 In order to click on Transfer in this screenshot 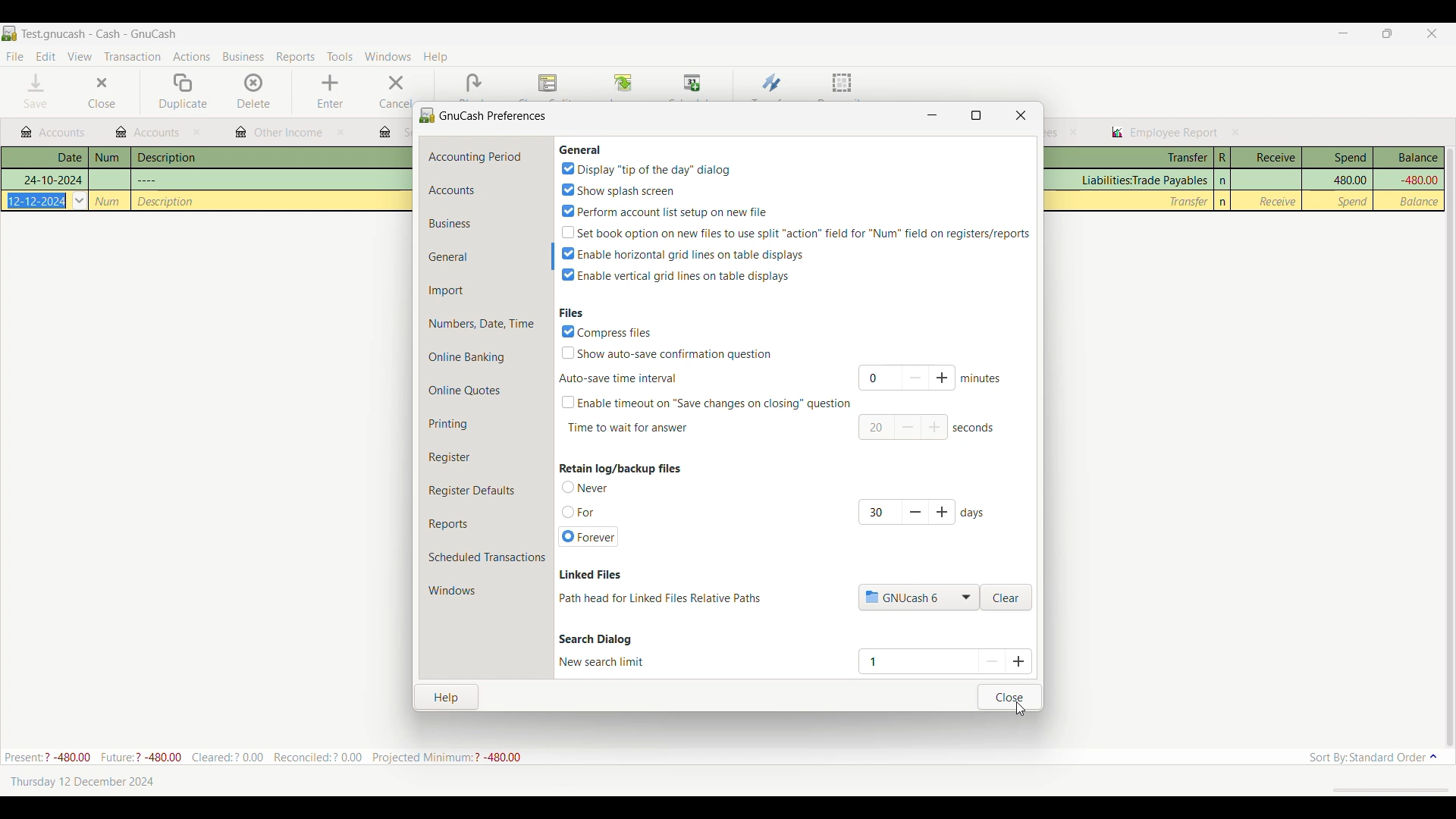, I will do `click(772, 83)`.